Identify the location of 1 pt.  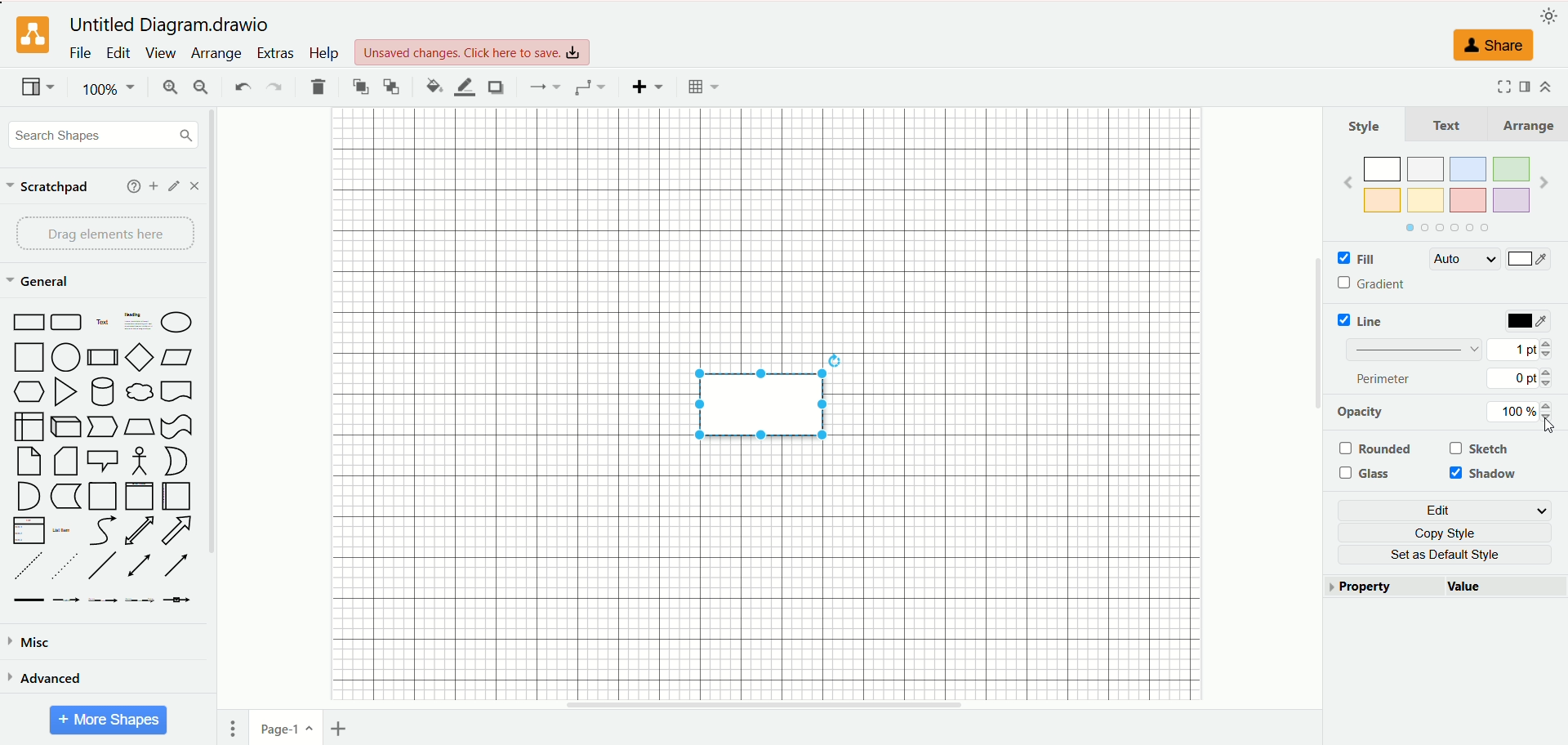
(1520, 348).